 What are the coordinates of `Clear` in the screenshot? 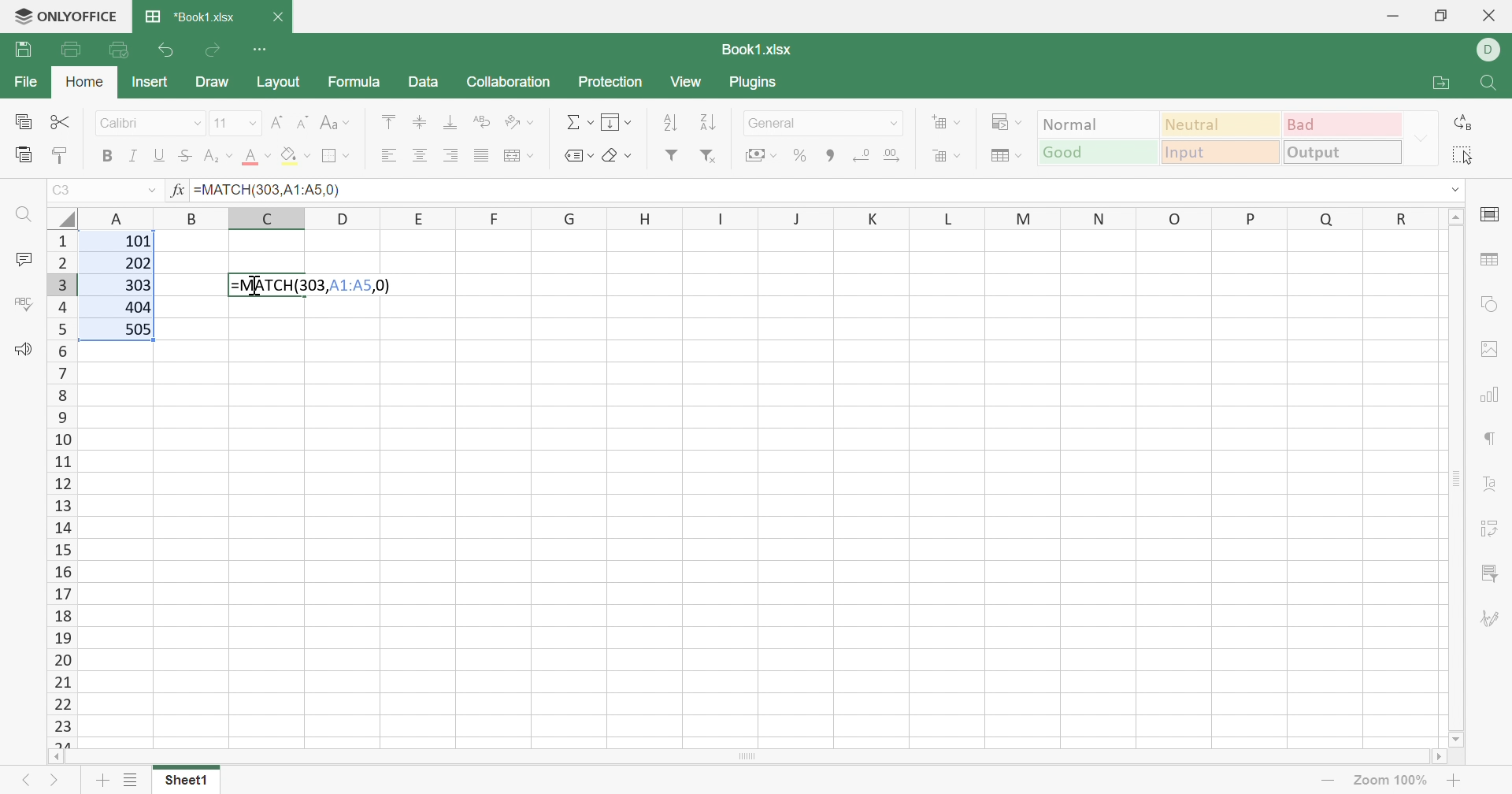 It's located at (616, 153).